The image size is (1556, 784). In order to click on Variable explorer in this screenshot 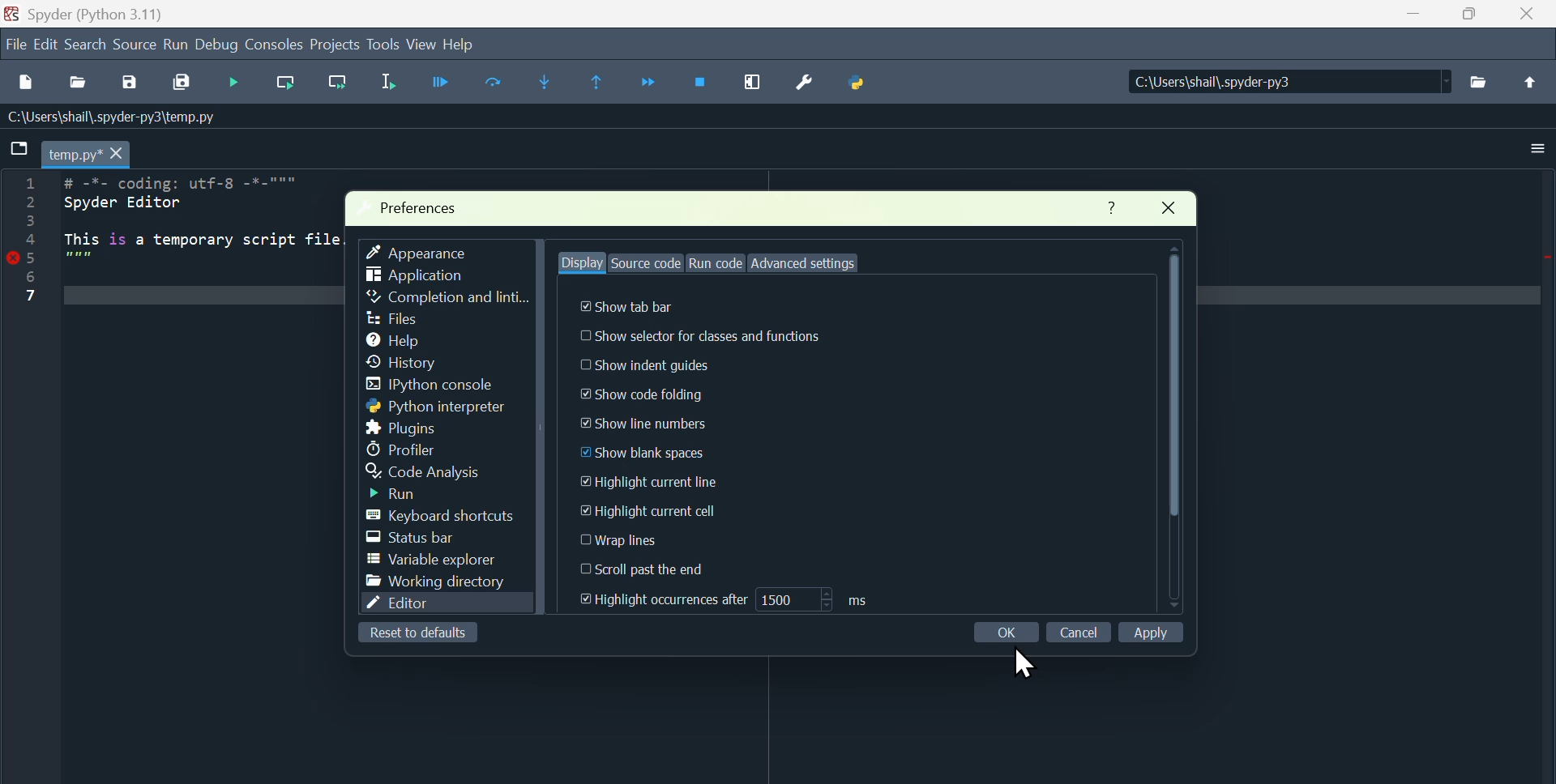, I will do `click(442, 560)`.